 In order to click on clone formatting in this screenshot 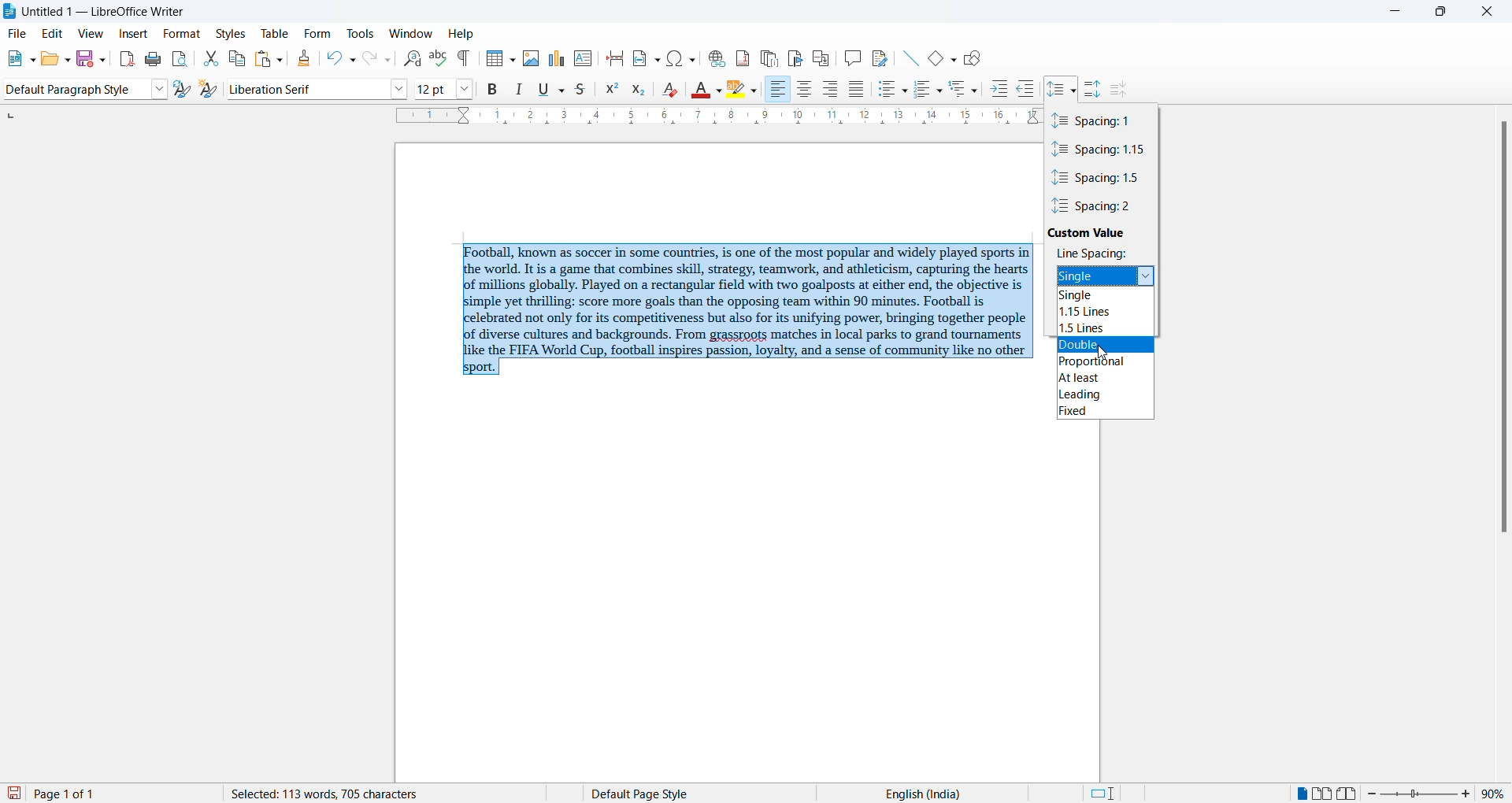, I will do `click(306, 58)`.